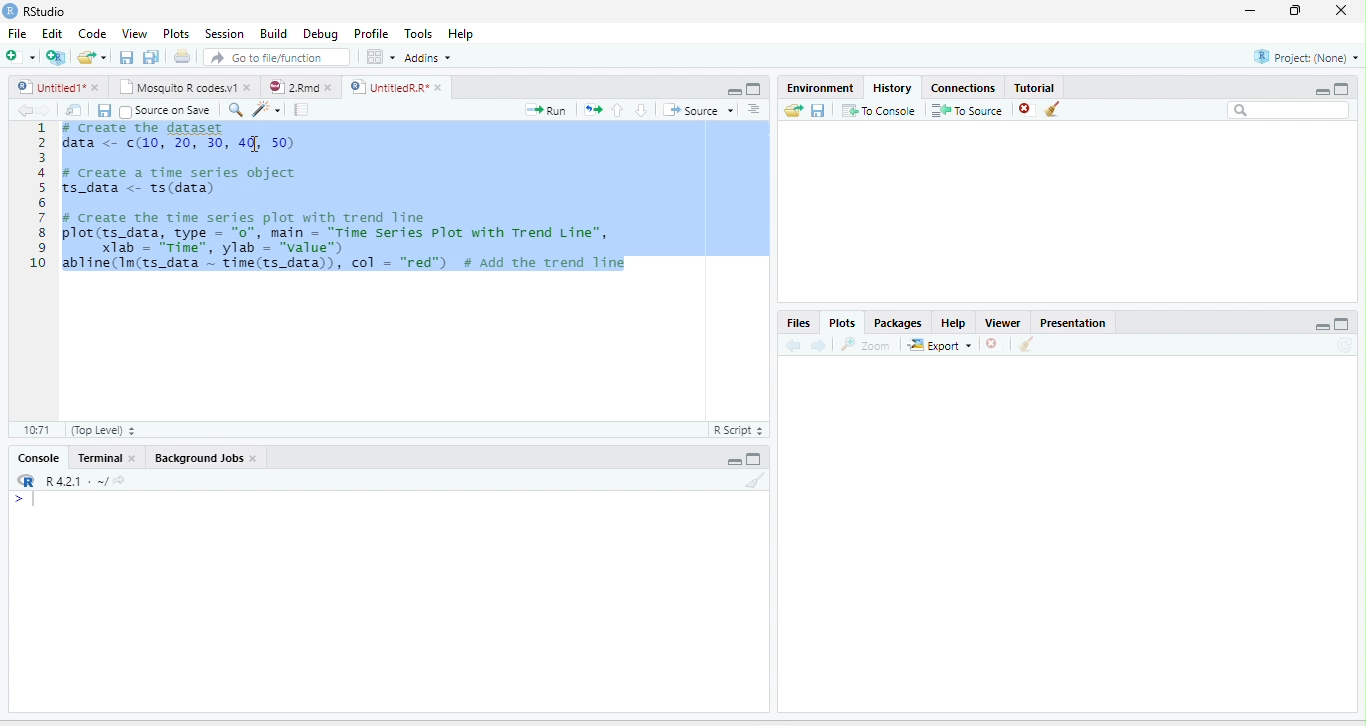  What do you see at coordinates (1003, 322) in the screenshot?
I see `Viewer` at bounding box center [1003, 322].